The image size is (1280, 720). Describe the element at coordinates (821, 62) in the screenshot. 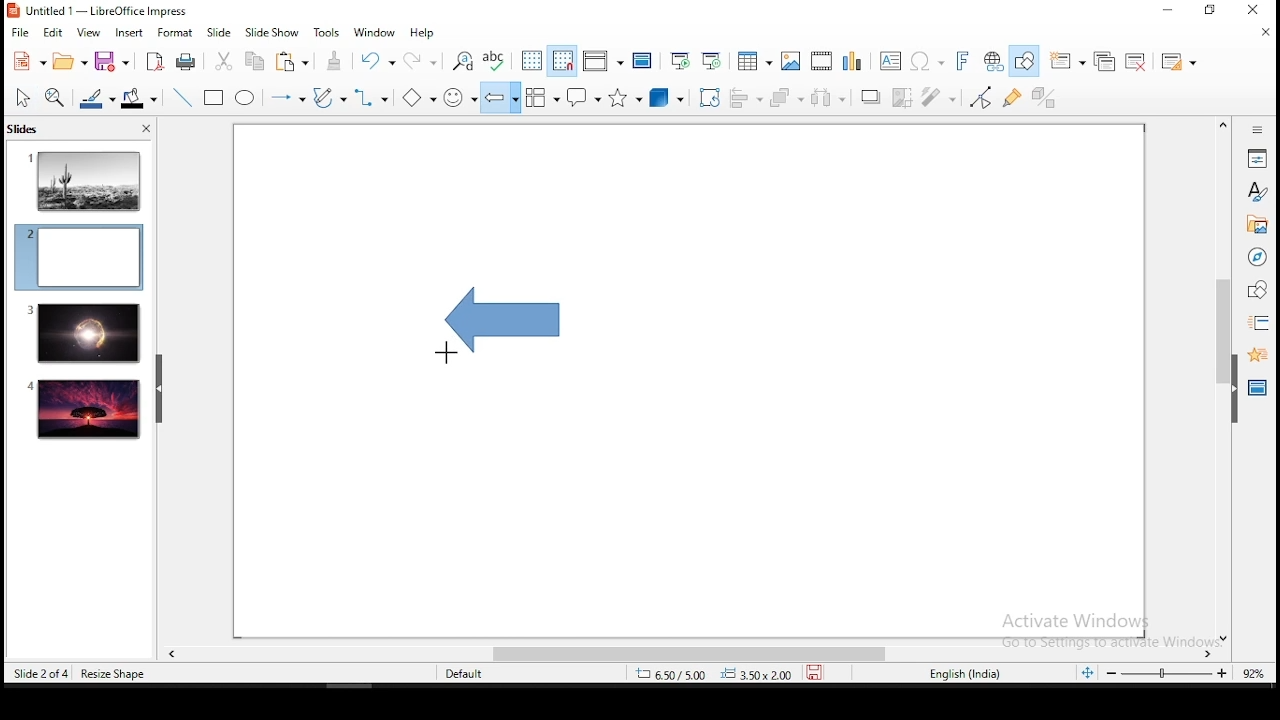

I see `insert audio and video` at that location.